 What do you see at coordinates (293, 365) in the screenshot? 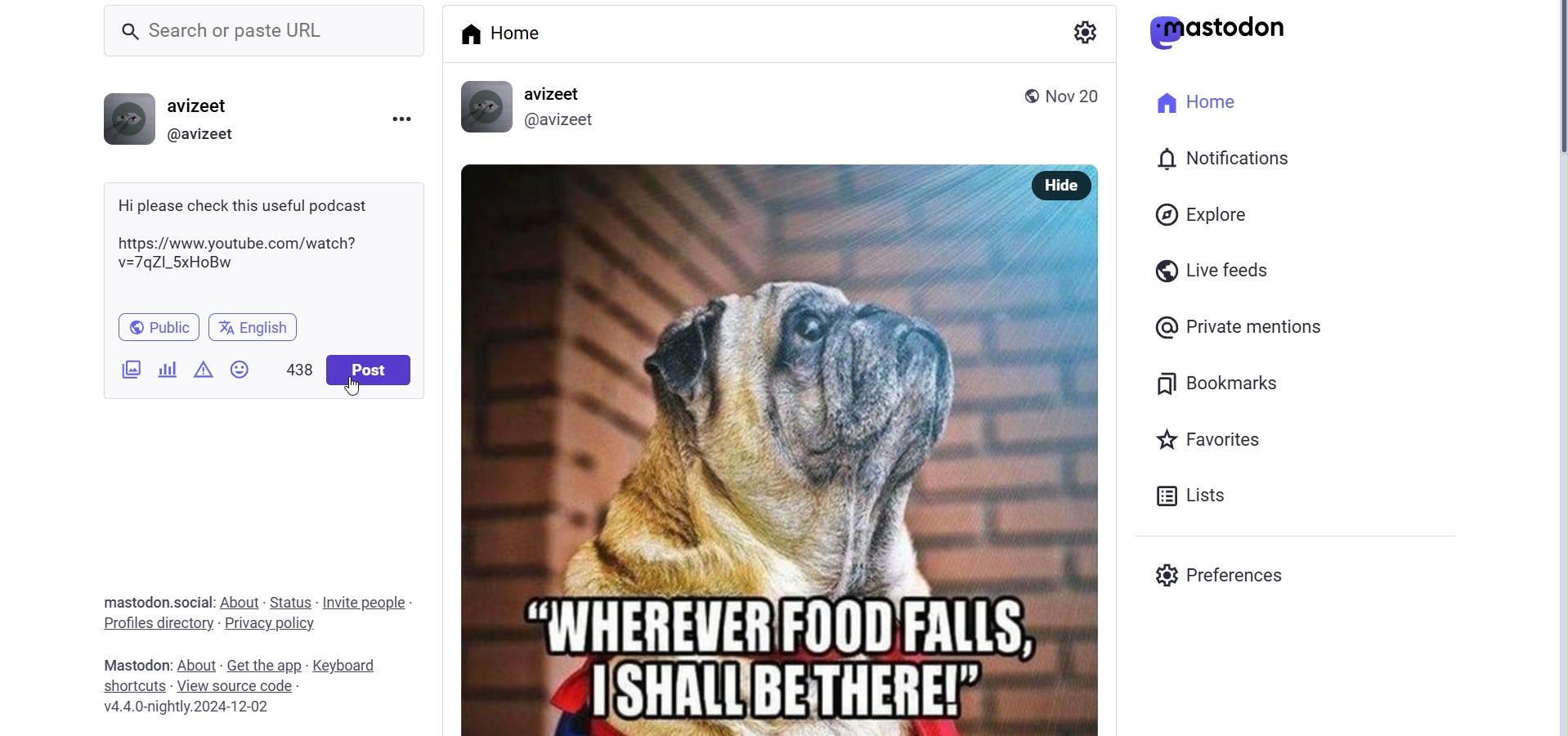
I see `438` at bounding box center [293, 365].